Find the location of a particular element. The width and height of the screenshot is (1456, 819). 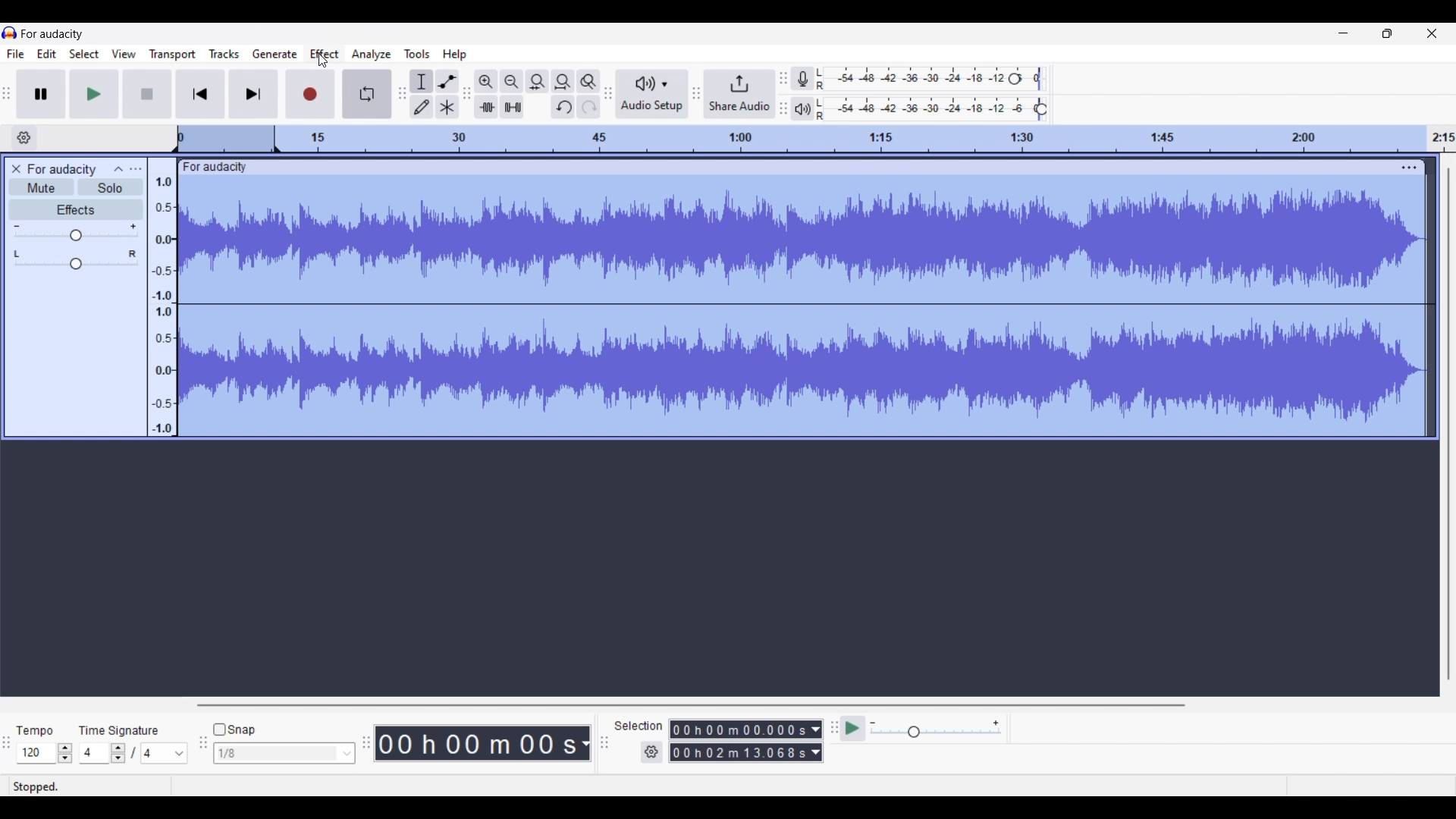

Track selected is located at coordinates (808, 308).